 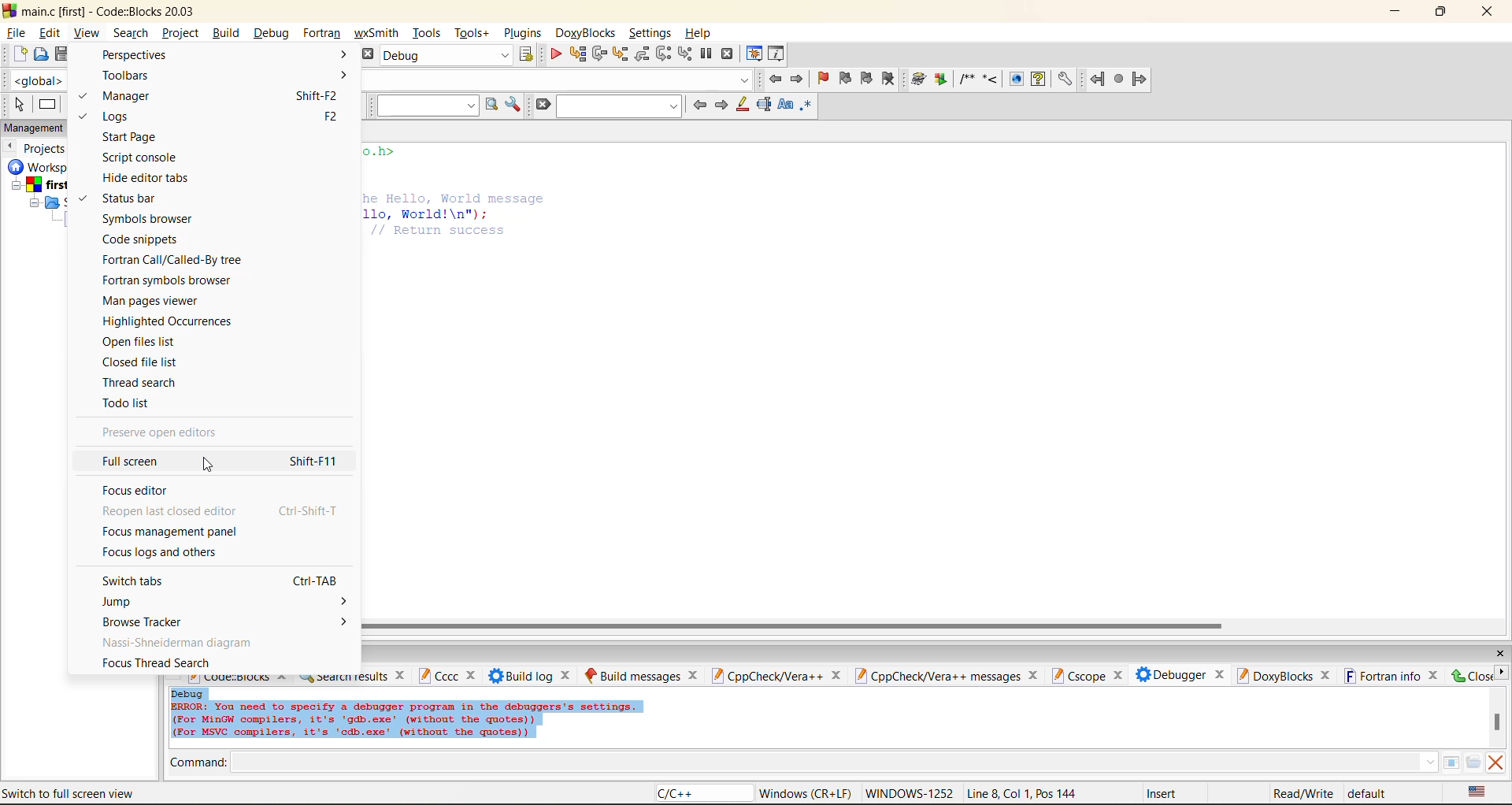 What do you see at coordinates (214, 465) in the screenshot?
I see `Cursor` at bounding box center [214, 465].